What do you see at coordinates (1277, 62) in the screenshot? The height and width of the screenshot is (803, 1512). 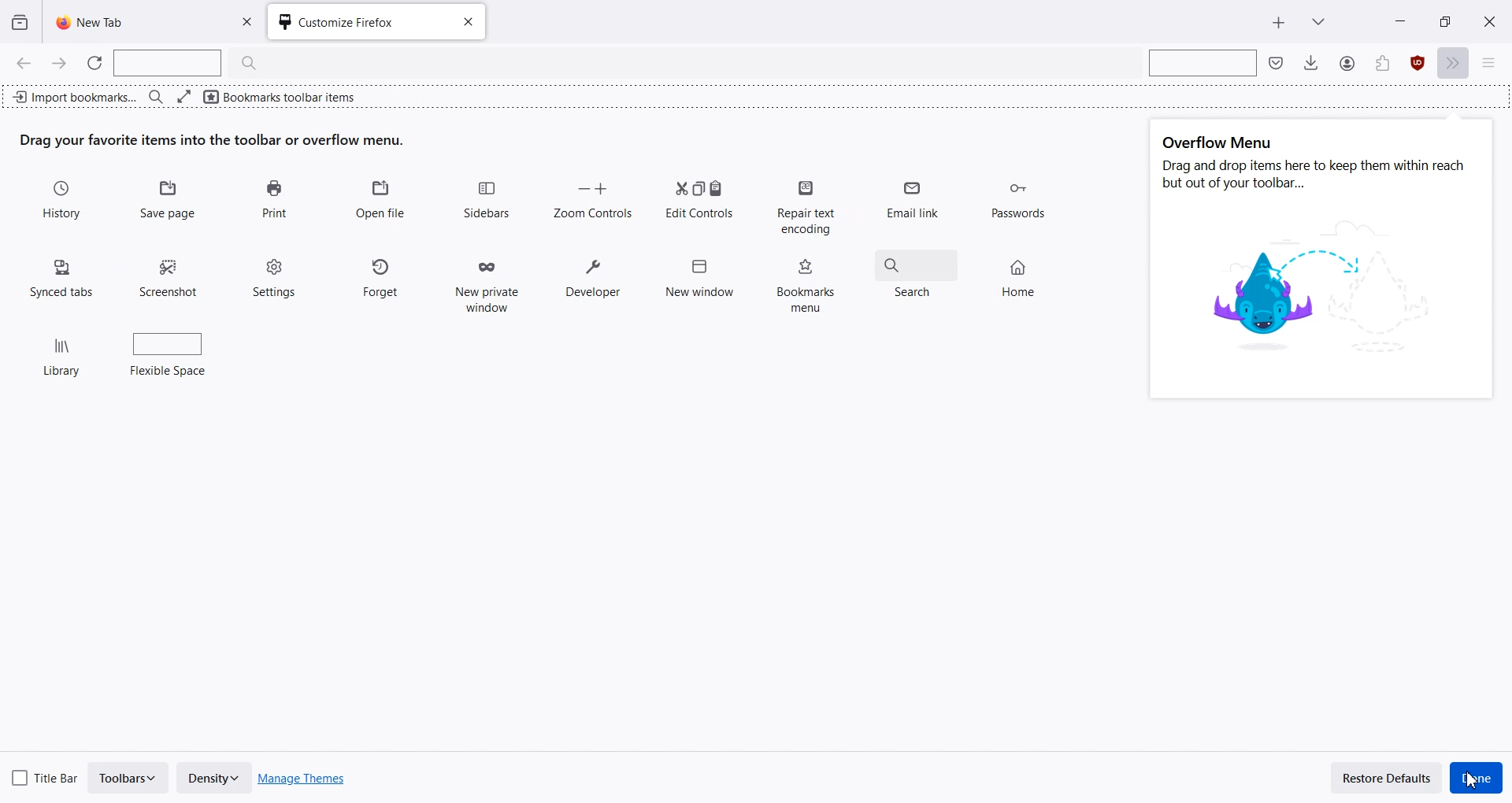 I see `Save to pocket` at bounding box center [1277, 62].